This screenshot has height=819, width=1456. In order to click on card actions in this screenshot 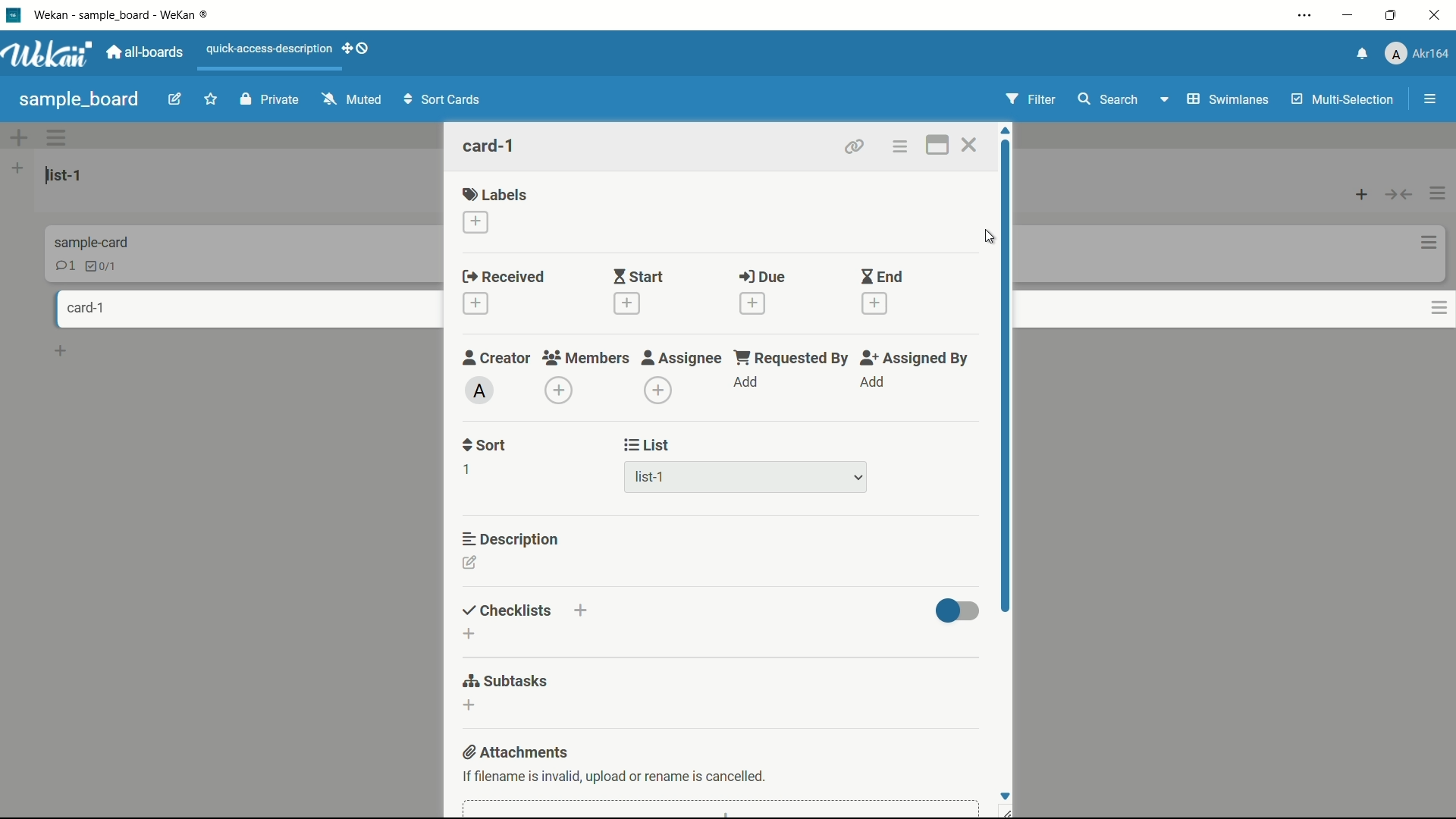, I will do `click(902, 146)`.